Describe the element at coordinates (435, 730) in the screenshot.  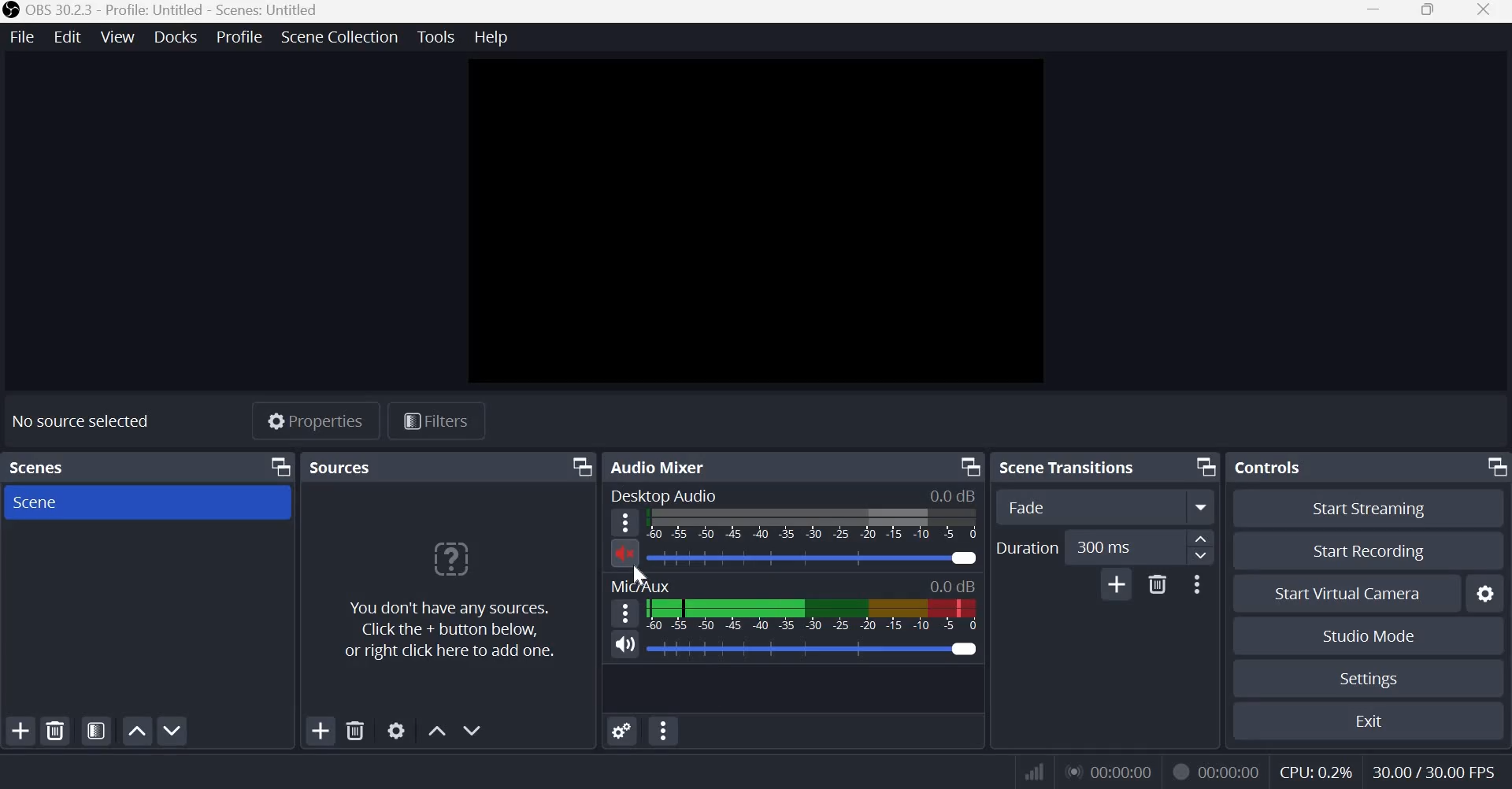
I see `Move source(s) up` at that location.